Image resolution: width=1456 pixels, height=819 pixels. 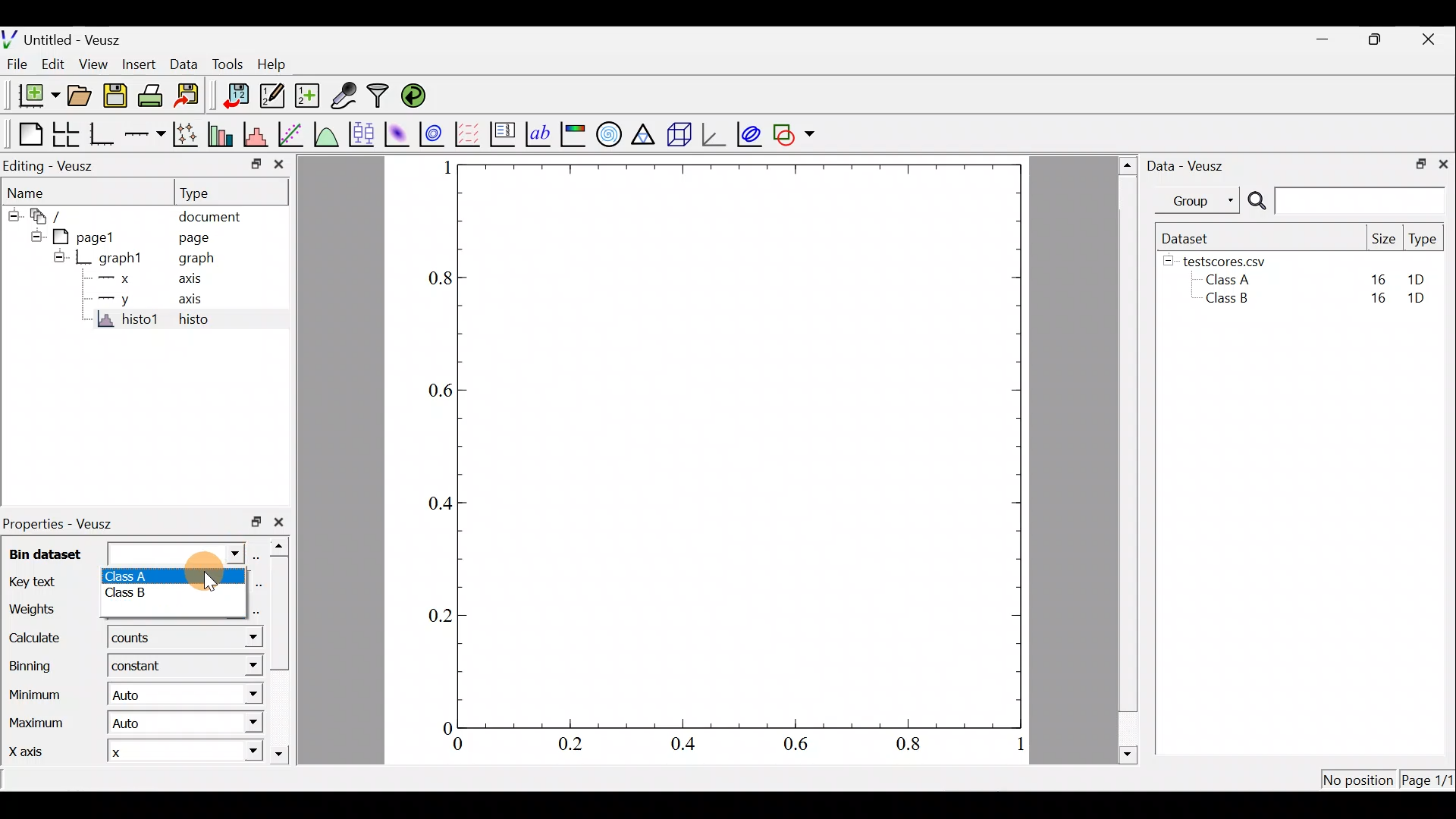 What do you see at coordinates (130, 320) in the screenshot?
I see `histo1` at bounding box center [130, 320].